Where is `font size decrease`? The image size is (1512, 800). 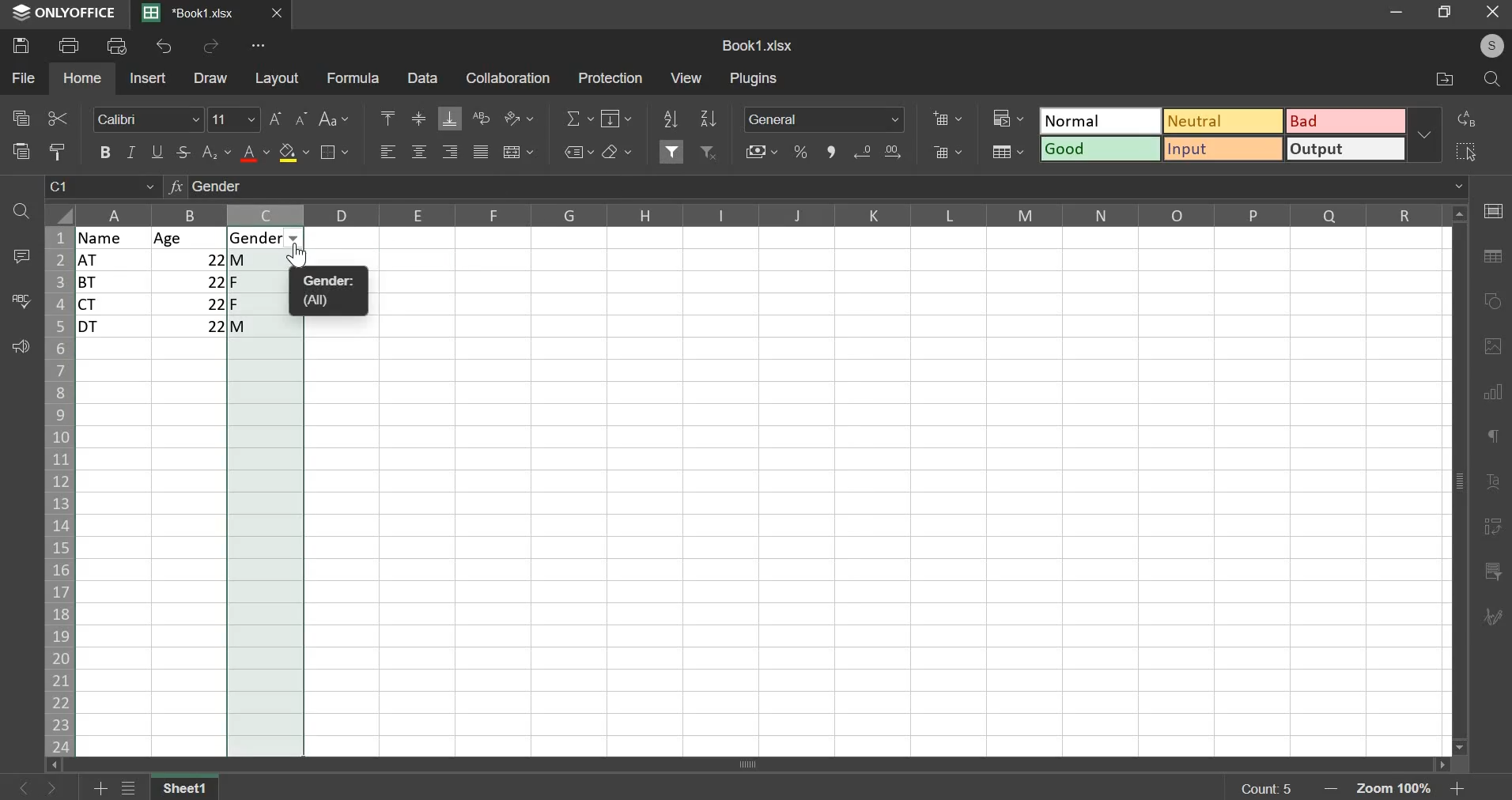
font size decrease is located at coordinates (303, 117).